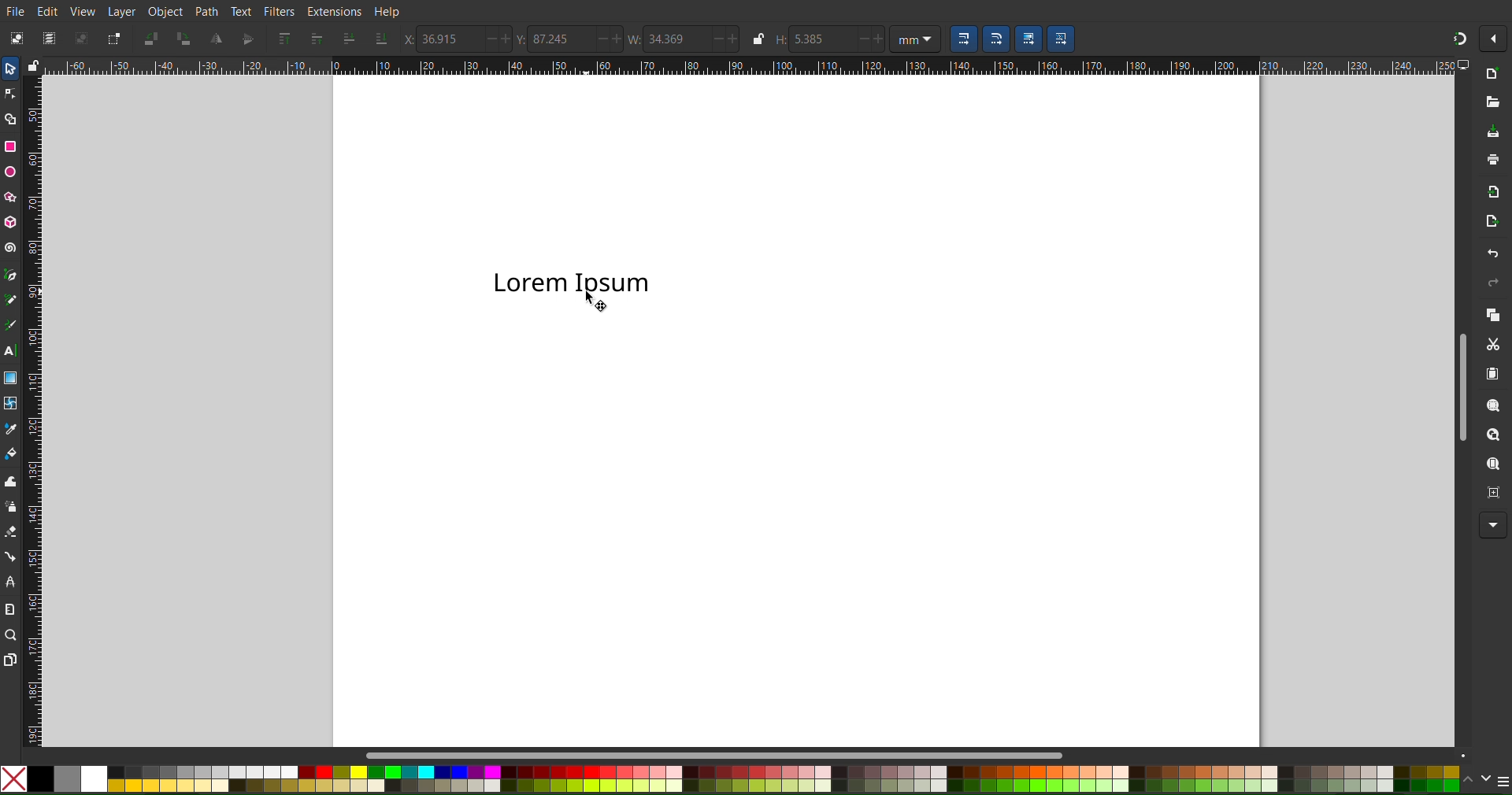 The height and width of the screenshot is (795, 1512). I want to click on Redo, so click(1492, 286).